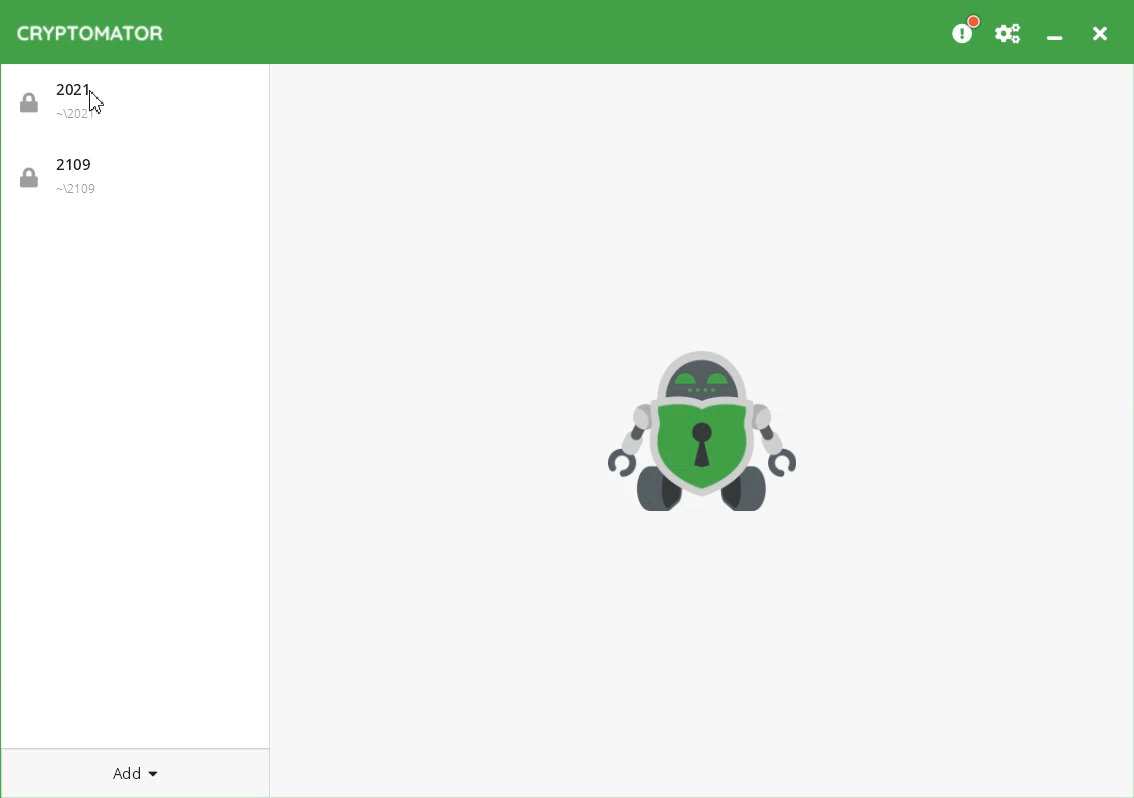  What do you see at coordinates (135, 773) in the screenshot?
I see `Add` at bounding box center [135, 773].